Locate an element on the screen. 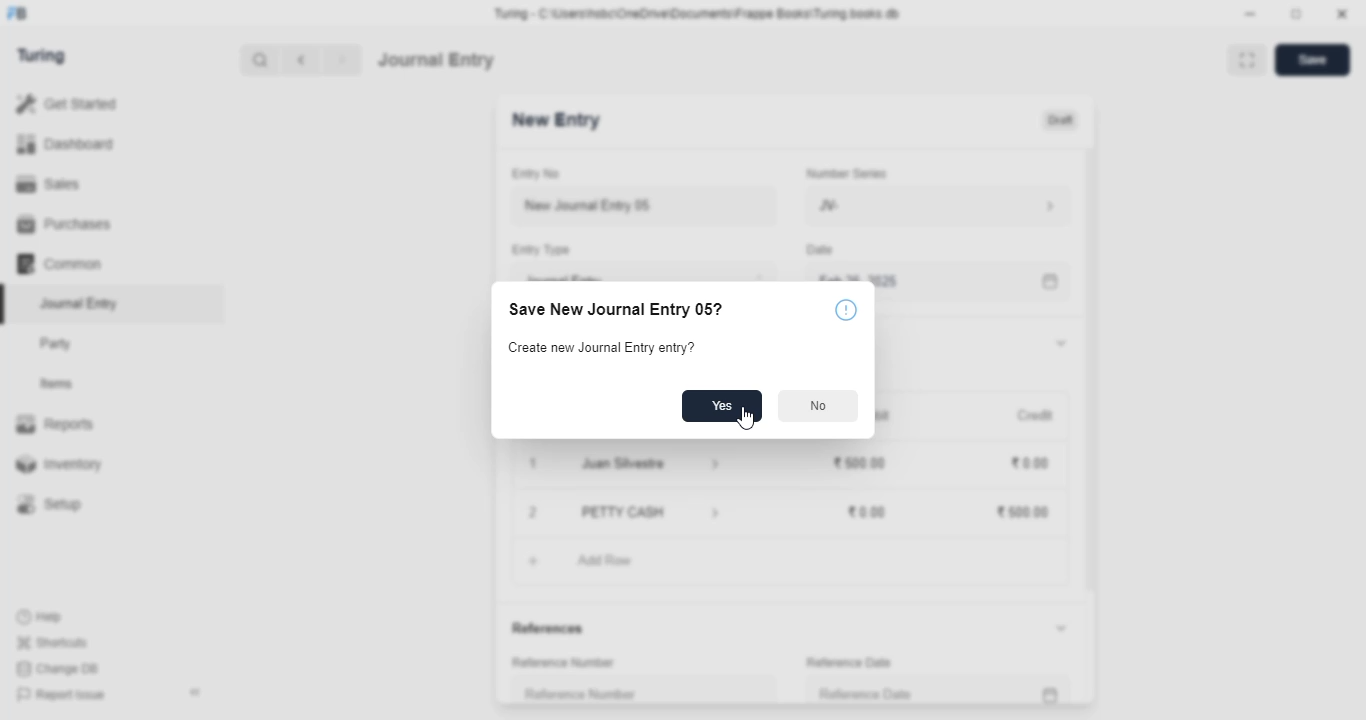  shortcuts is located at coordinates (52, 643).